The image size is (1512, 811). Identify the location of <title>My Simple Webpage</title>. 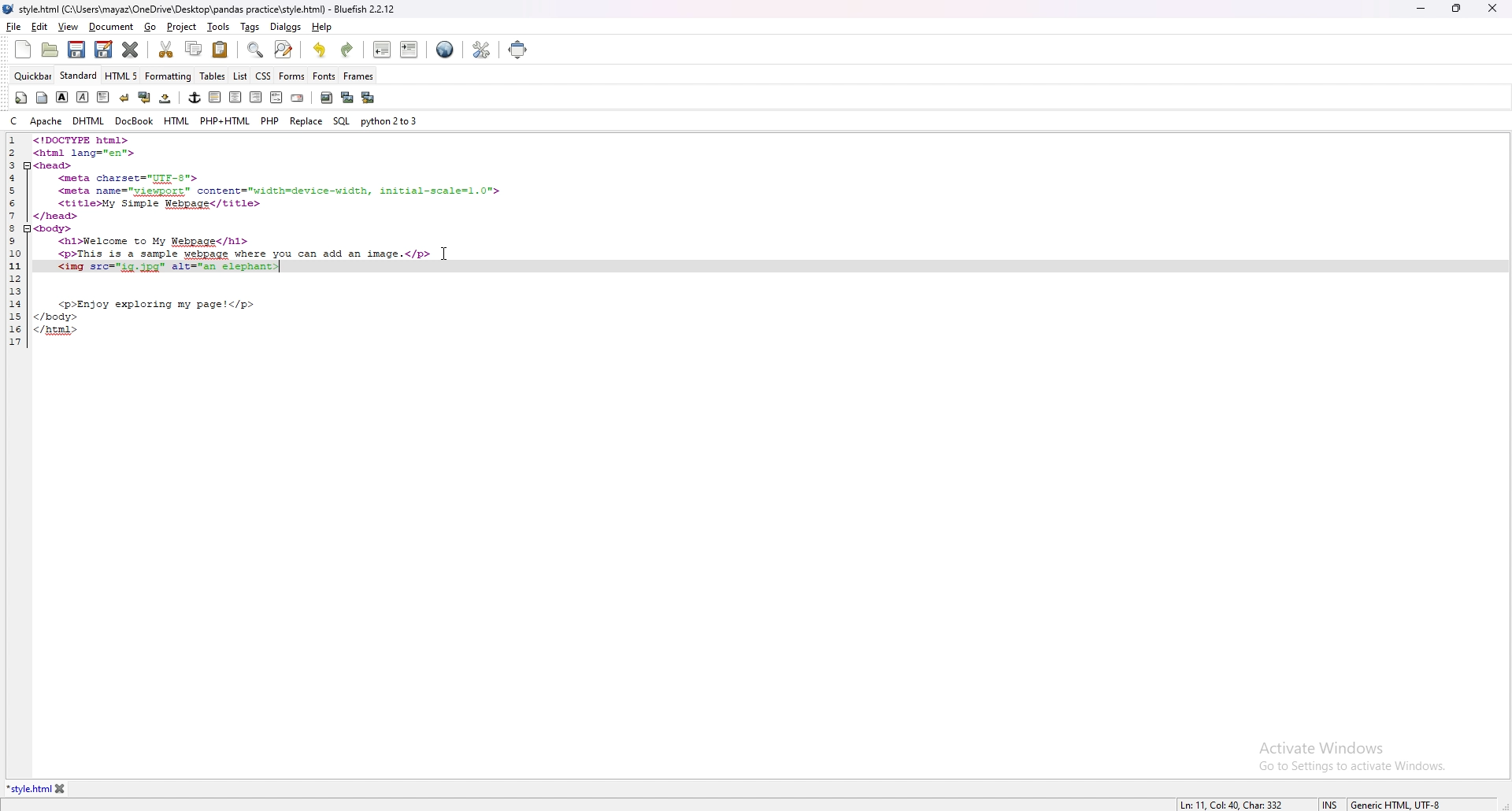
(161, 204).